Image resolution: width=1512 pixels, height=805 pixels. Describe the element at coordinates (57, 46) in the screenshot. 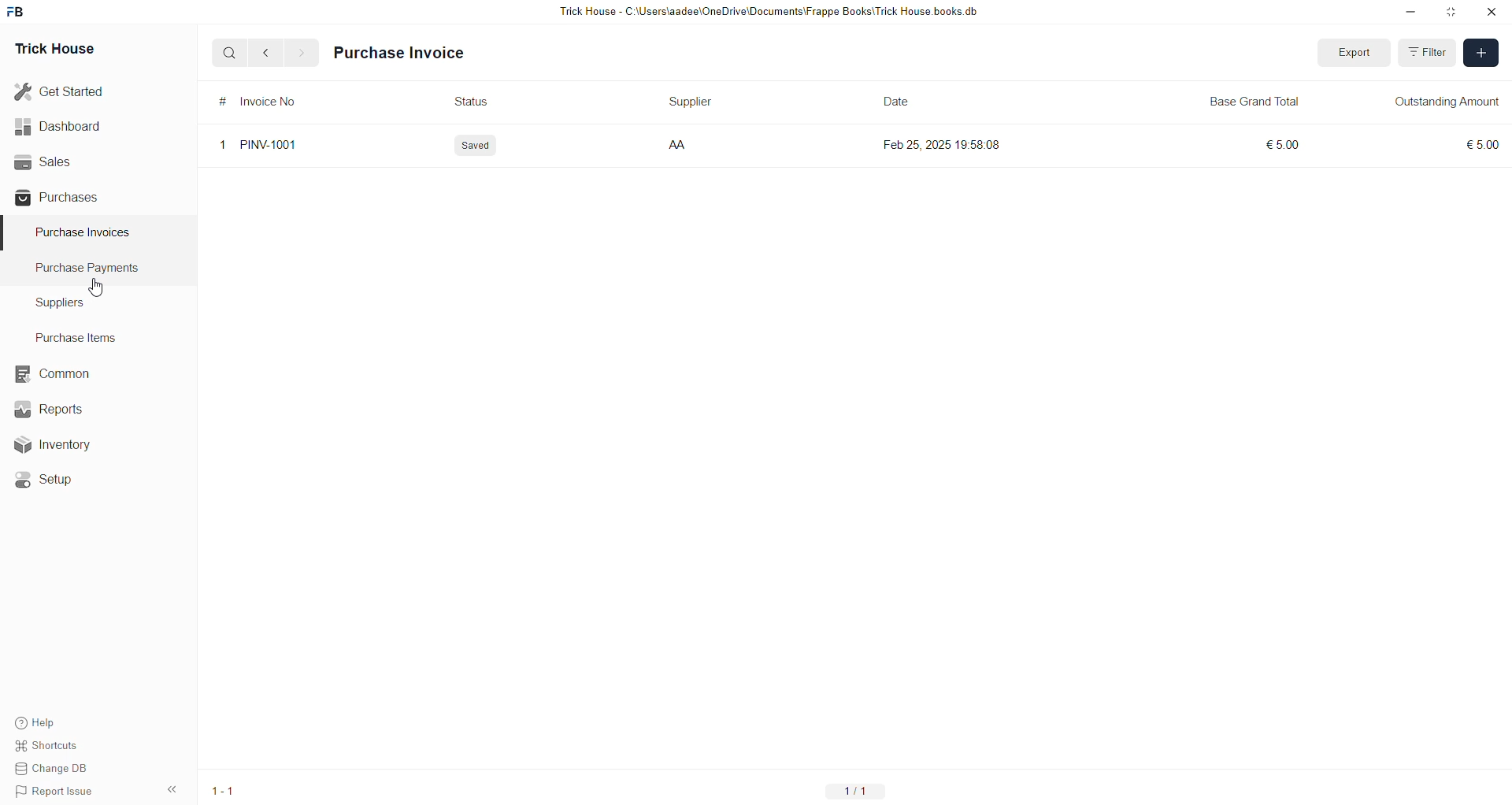

I see `Trick House` at that location.